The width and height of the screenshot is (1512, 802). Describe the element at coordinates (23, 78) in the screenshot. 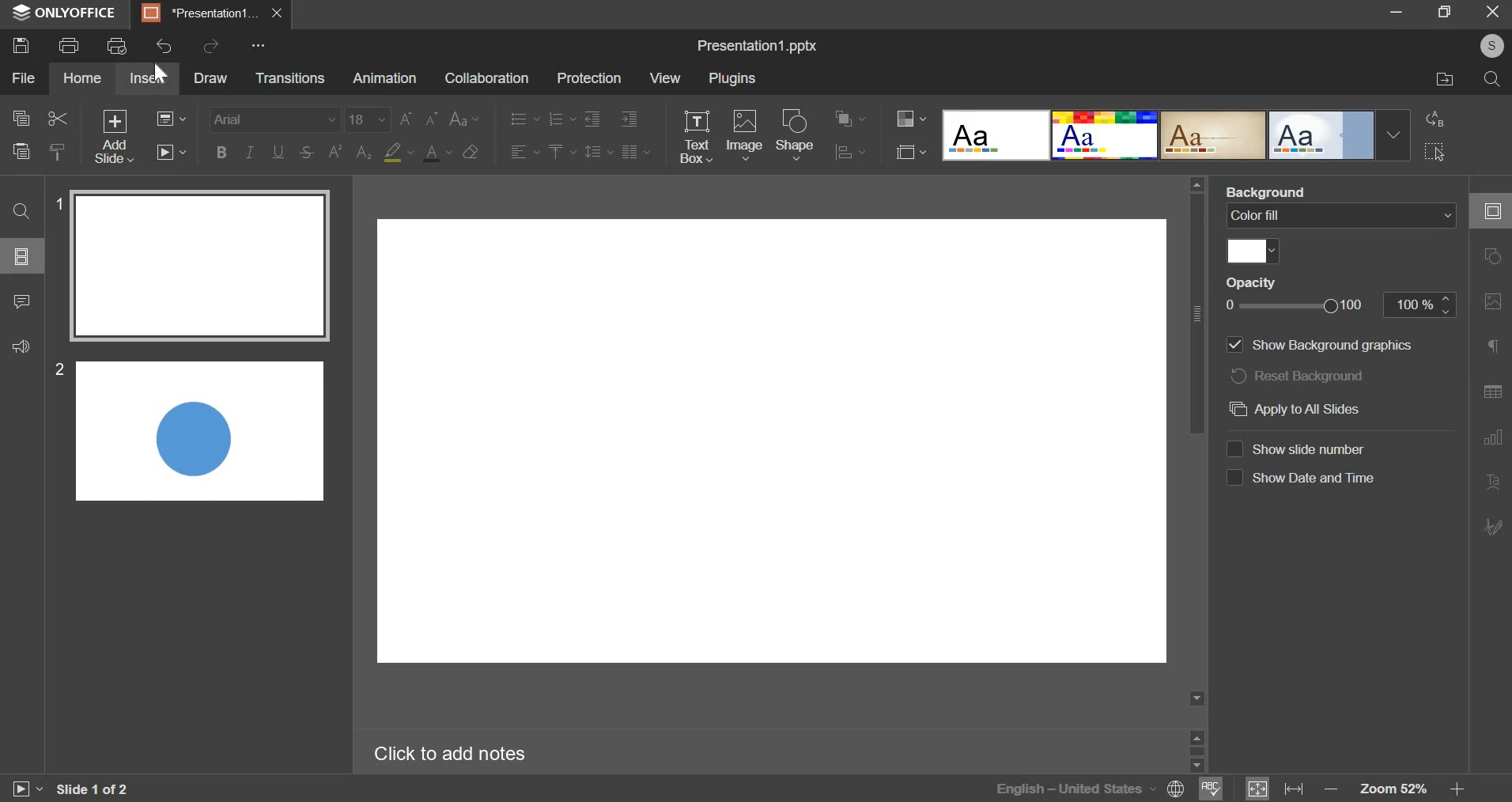

I see `file` at that location.